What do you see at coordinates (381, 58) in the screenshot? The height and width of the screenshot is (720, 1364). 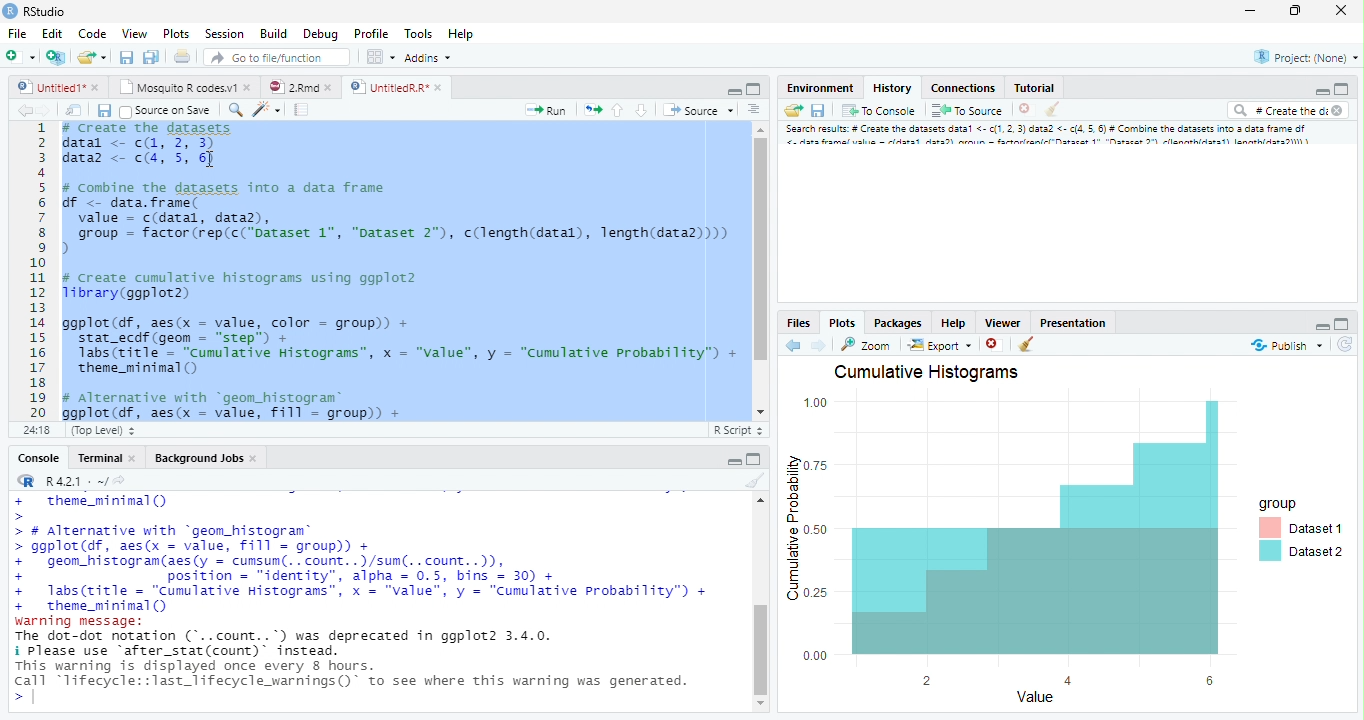 I see `Workspace pane` at bounding box center [381, 58].